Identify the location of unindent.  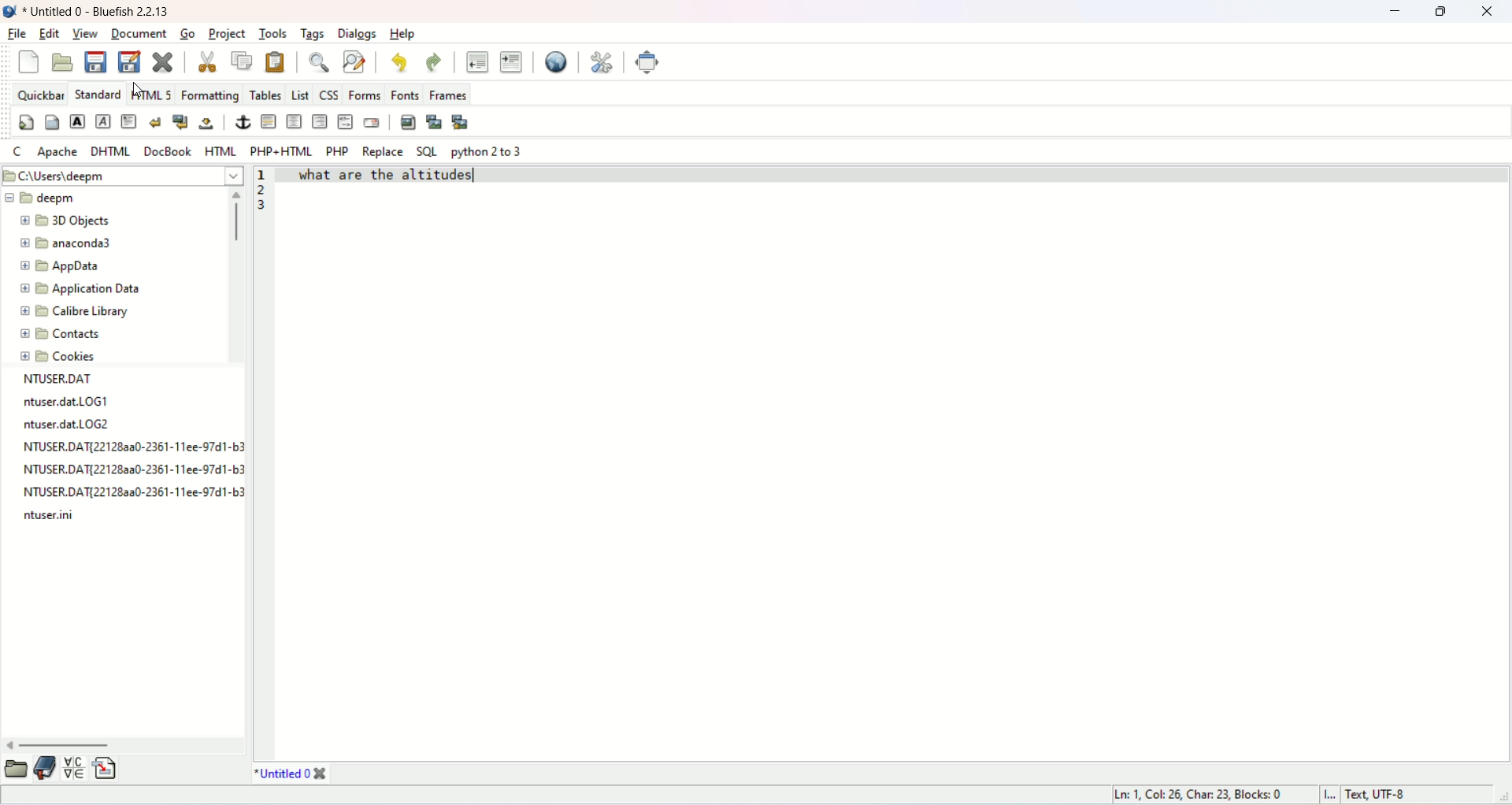
(479, 61).